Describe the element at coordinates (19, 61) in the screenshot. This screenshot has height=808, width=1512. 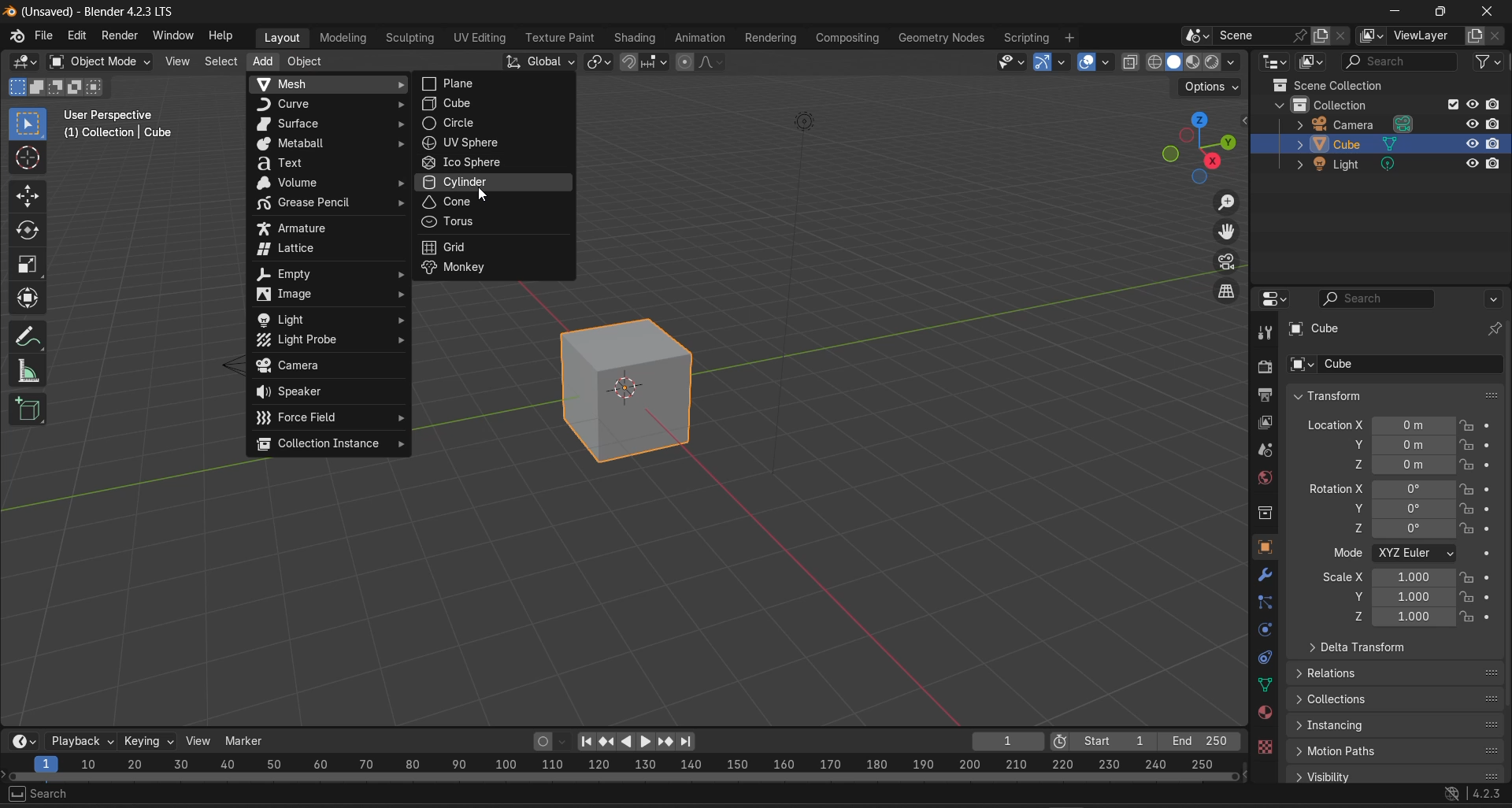
I see `editor type` at that location.